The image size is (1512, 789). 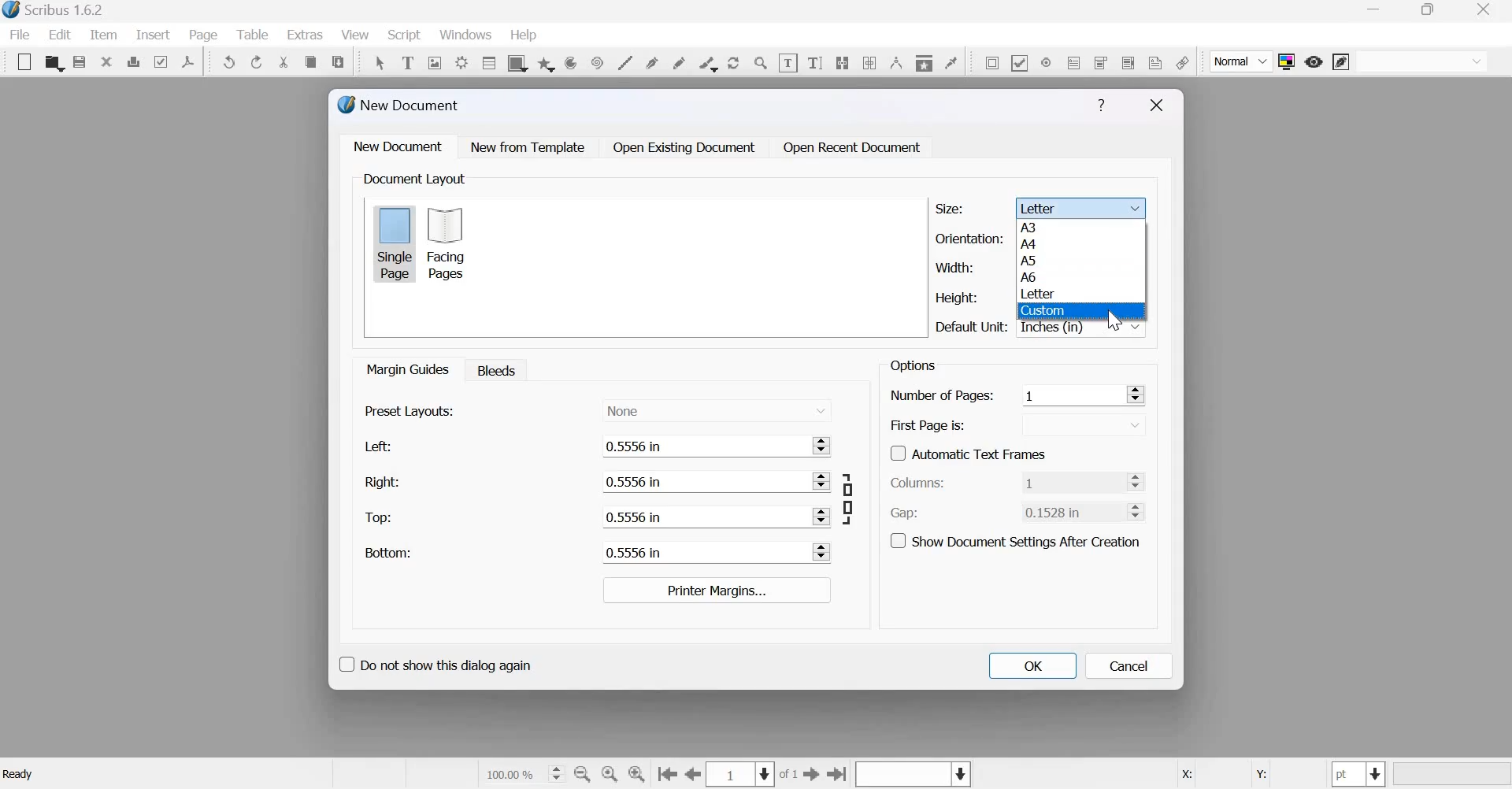 I want to click on View, so click(x=357, y=35).